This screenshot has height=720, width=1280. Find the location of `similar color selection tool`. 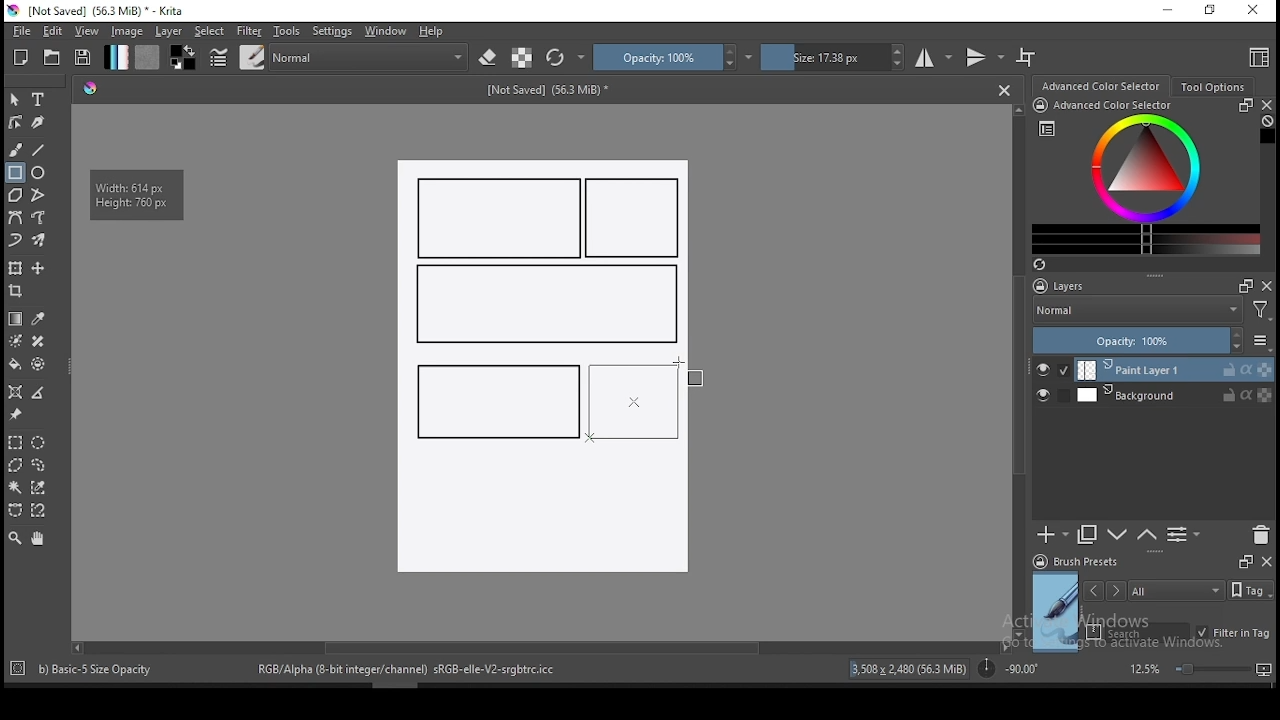

similar color selection tool is located at coordinates (41, 487).